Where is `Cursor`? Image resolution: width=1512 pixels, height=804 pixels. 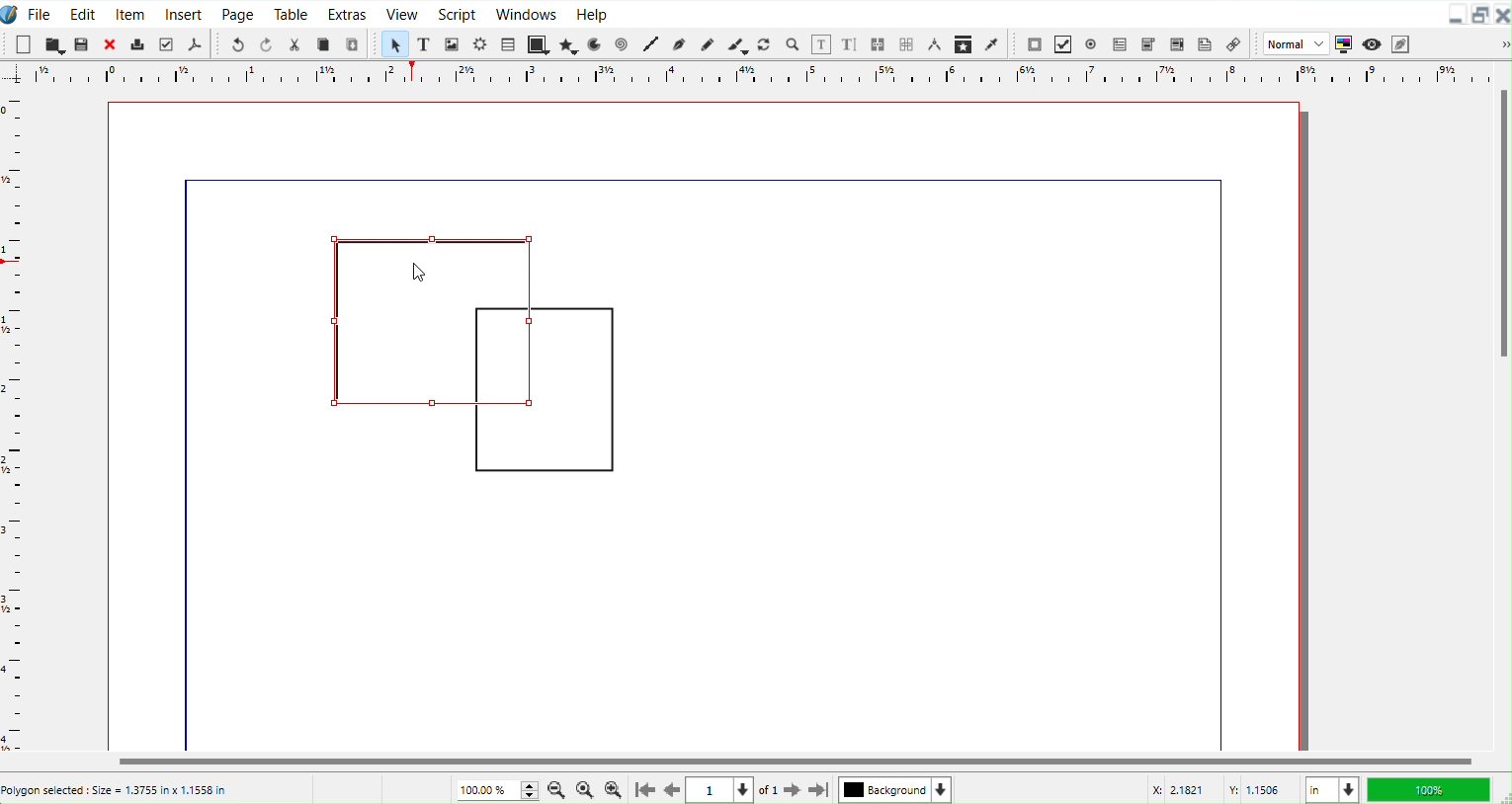 Cursor is located at coordinates (418, 273).